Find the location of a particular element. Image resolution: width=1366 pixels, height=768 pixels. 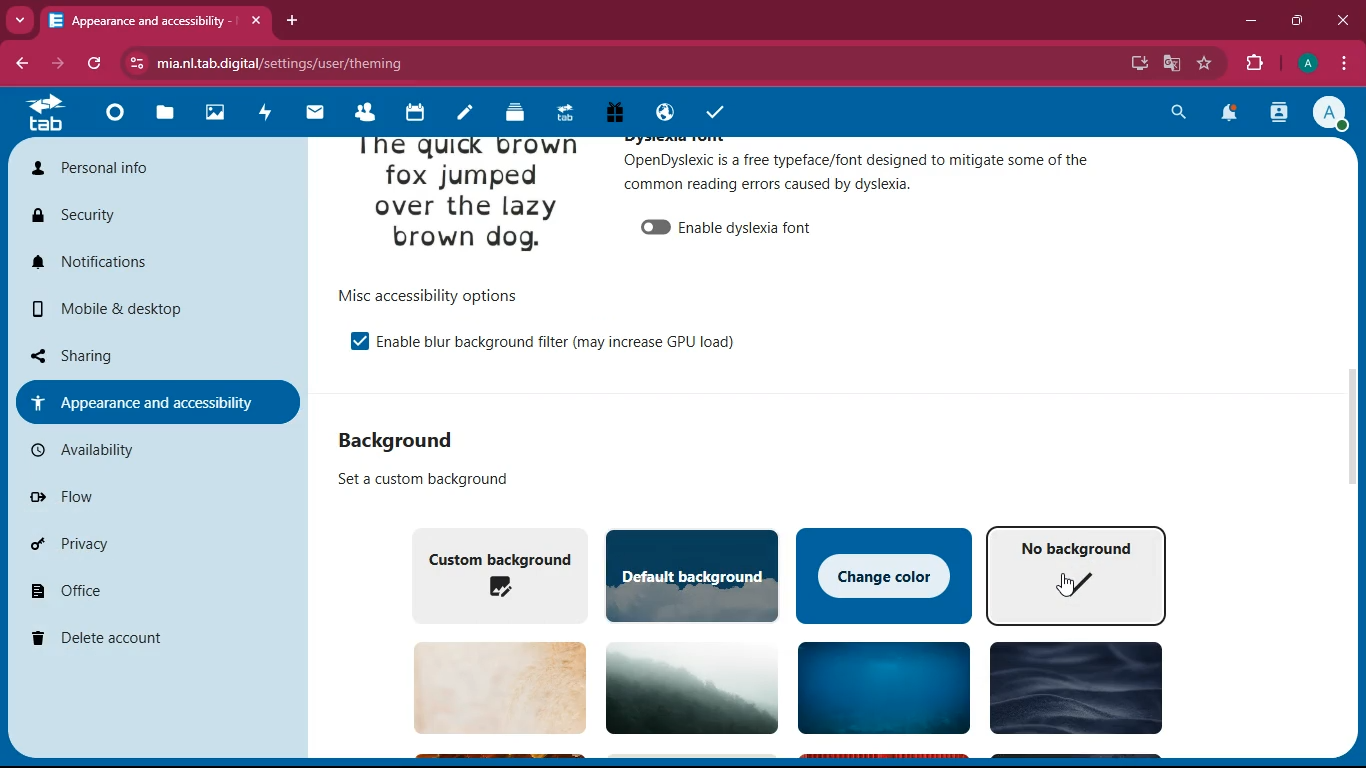

tab is located at coordinates (46, 113).